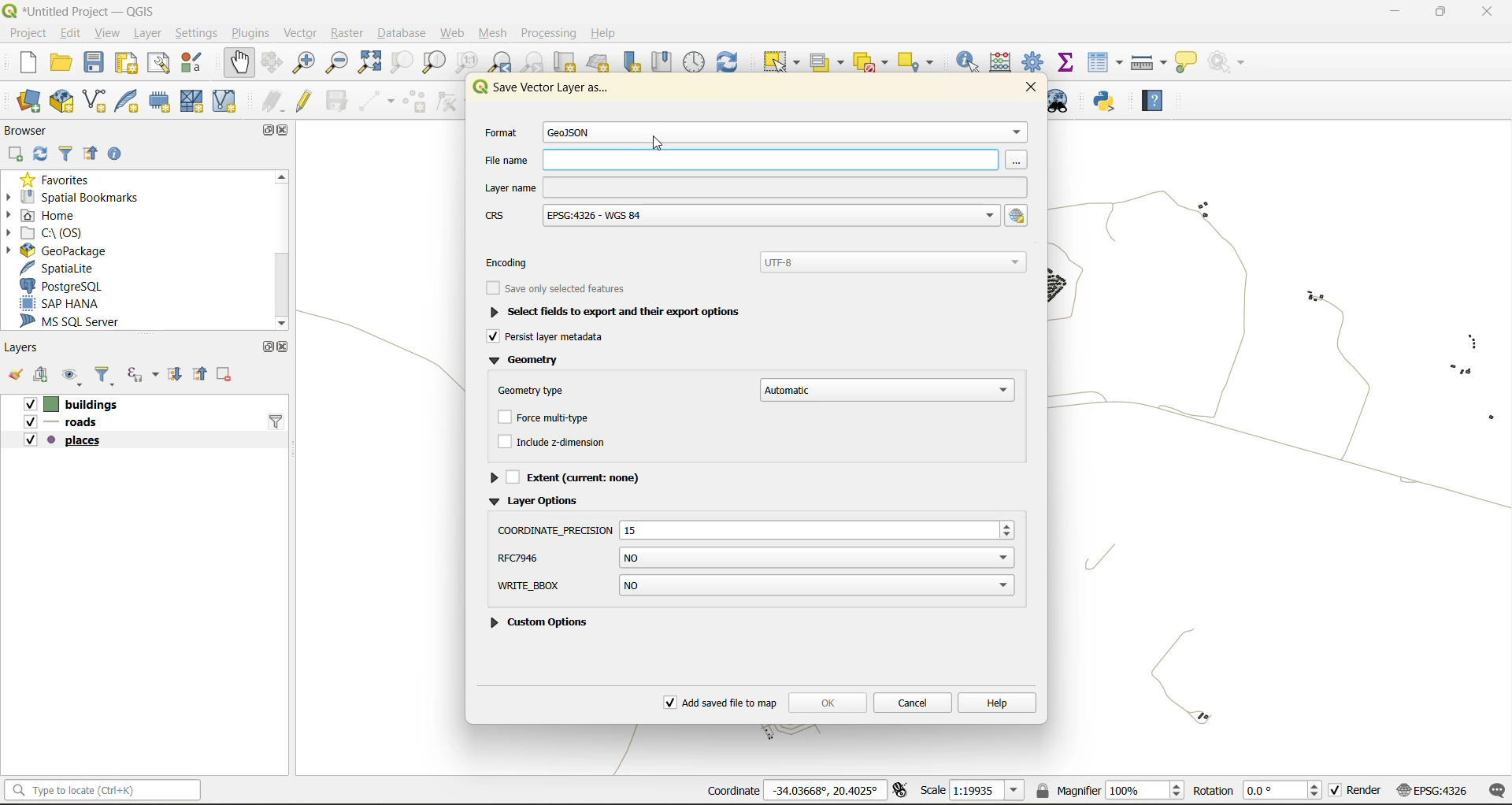 This screenshot has height=805, width=1512. Describe the element at coordinates (543, 418) in the screenshot. I see `force multitype` at that location.